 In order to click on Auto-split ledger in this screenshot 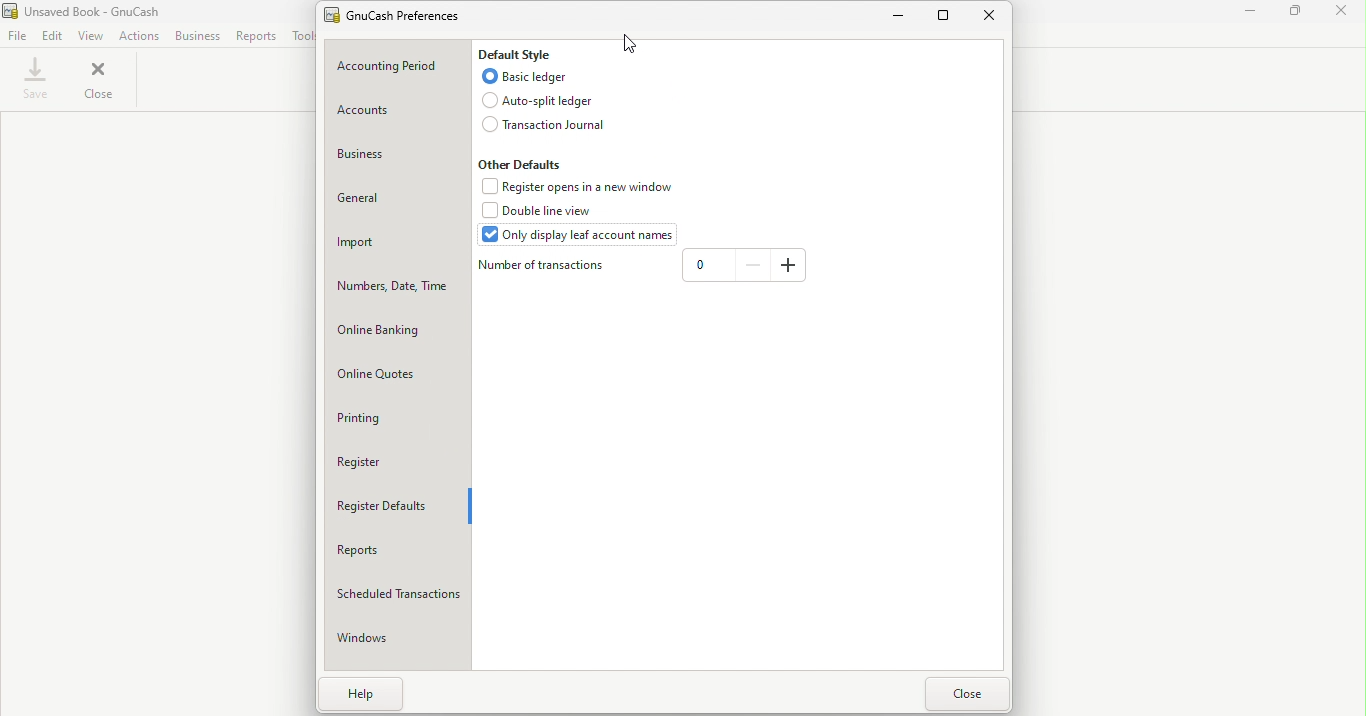, I will do `click(545, 100)`.